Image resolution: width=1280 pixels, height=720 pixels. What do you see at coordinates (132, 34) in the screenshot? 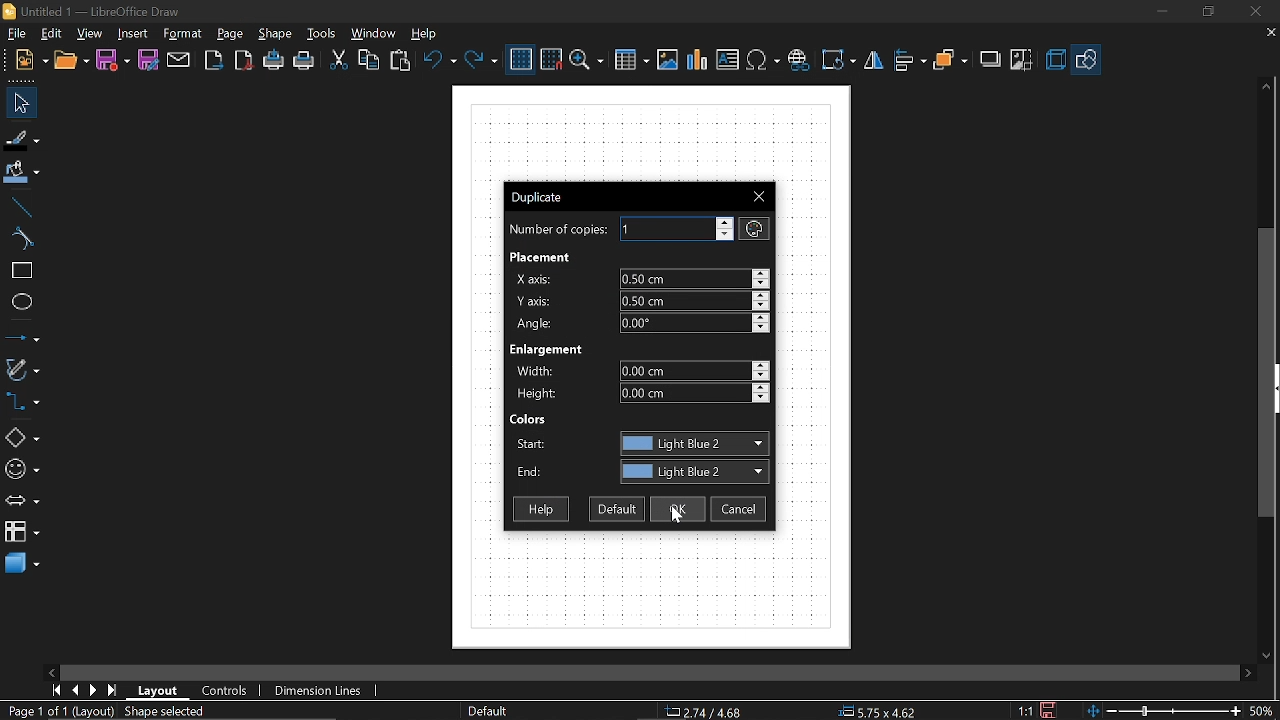
I see `Insert` at bounding box center [132, 34].